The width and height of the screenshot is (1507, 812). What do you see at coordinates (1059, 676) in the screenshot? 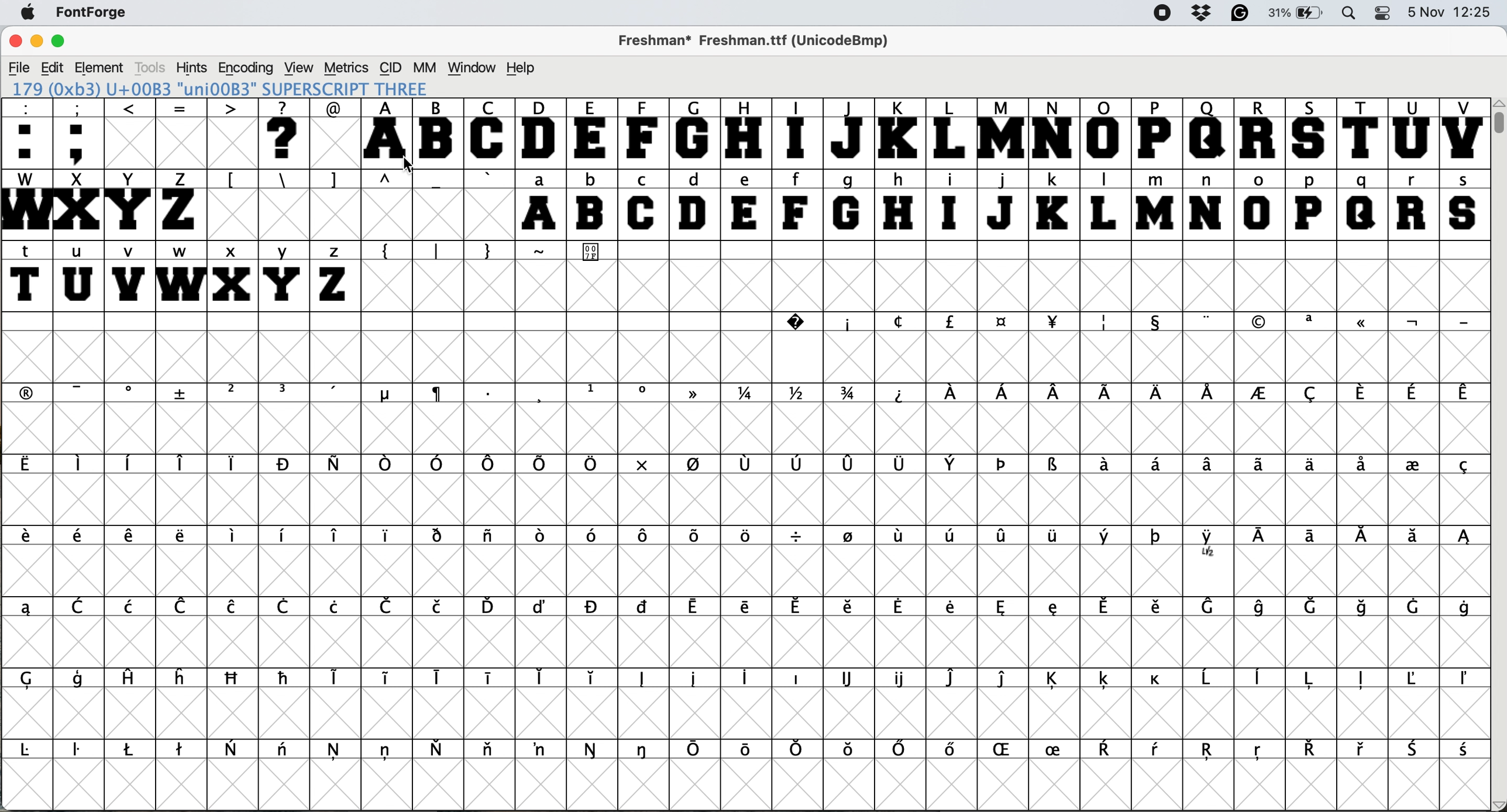
I see `symbol` at bounding box center [1059, 676].